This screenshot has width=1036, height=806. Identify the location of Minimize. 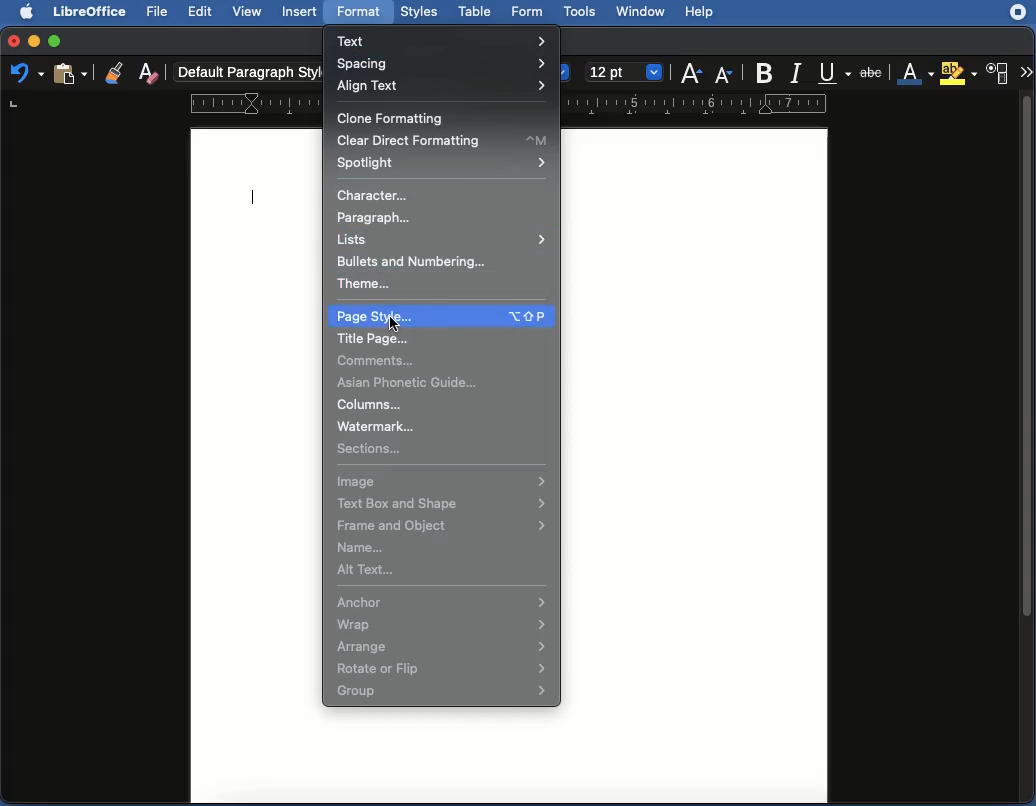
(34, 40).